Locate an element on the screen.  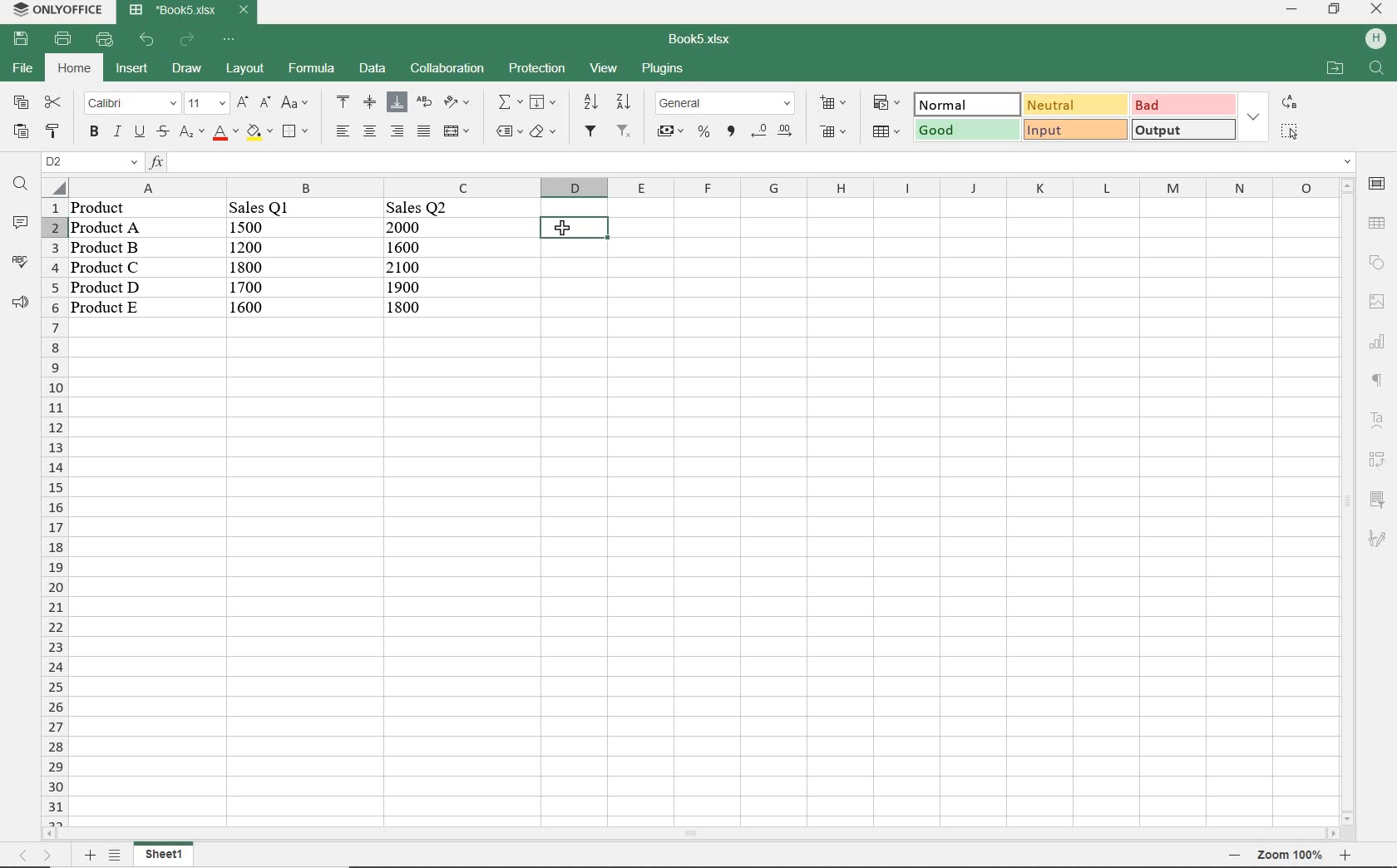
cut is located at coordinates (54, 101).